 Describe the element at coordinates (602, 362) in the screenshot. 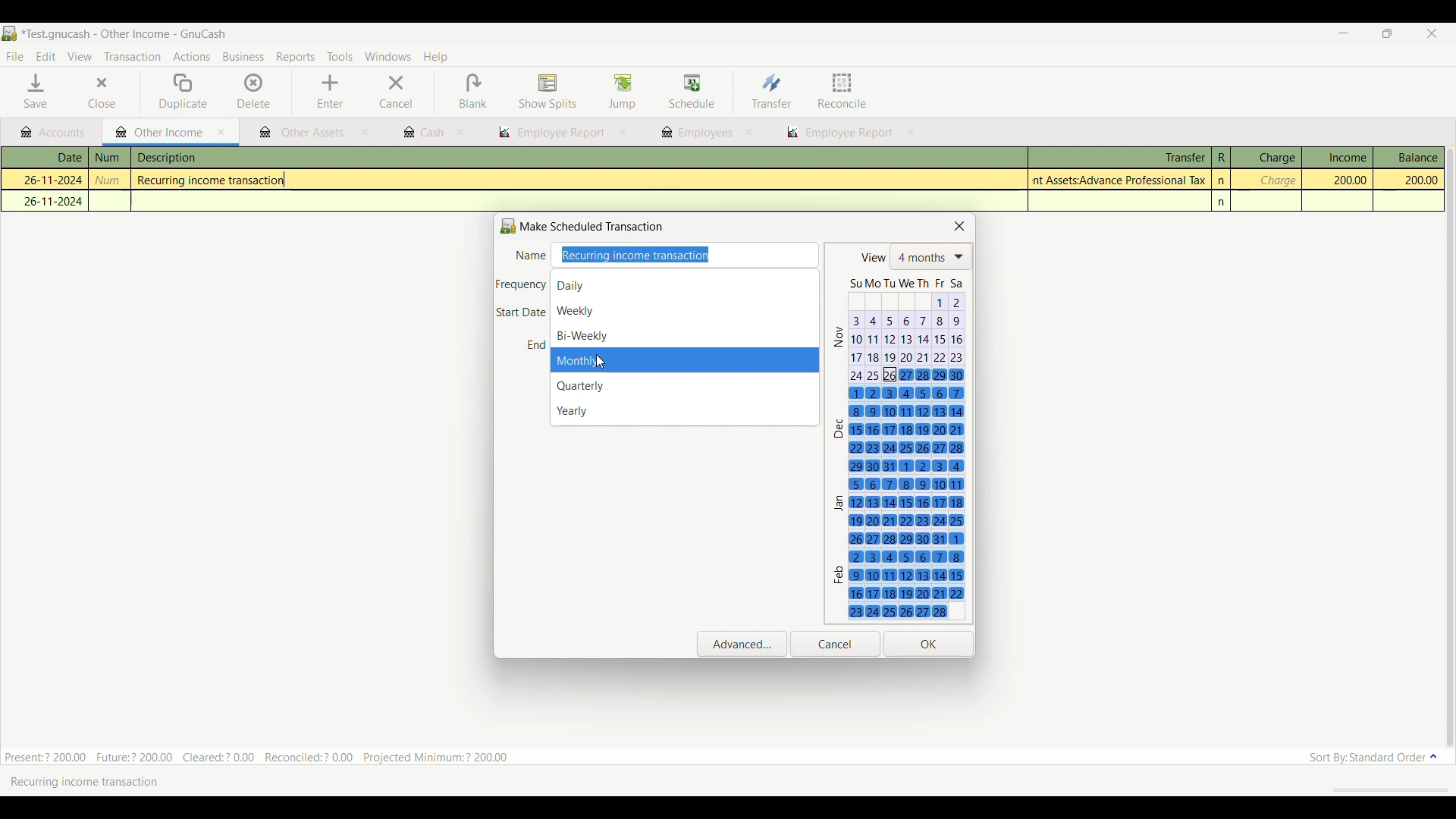

I see `cursor` at that location.